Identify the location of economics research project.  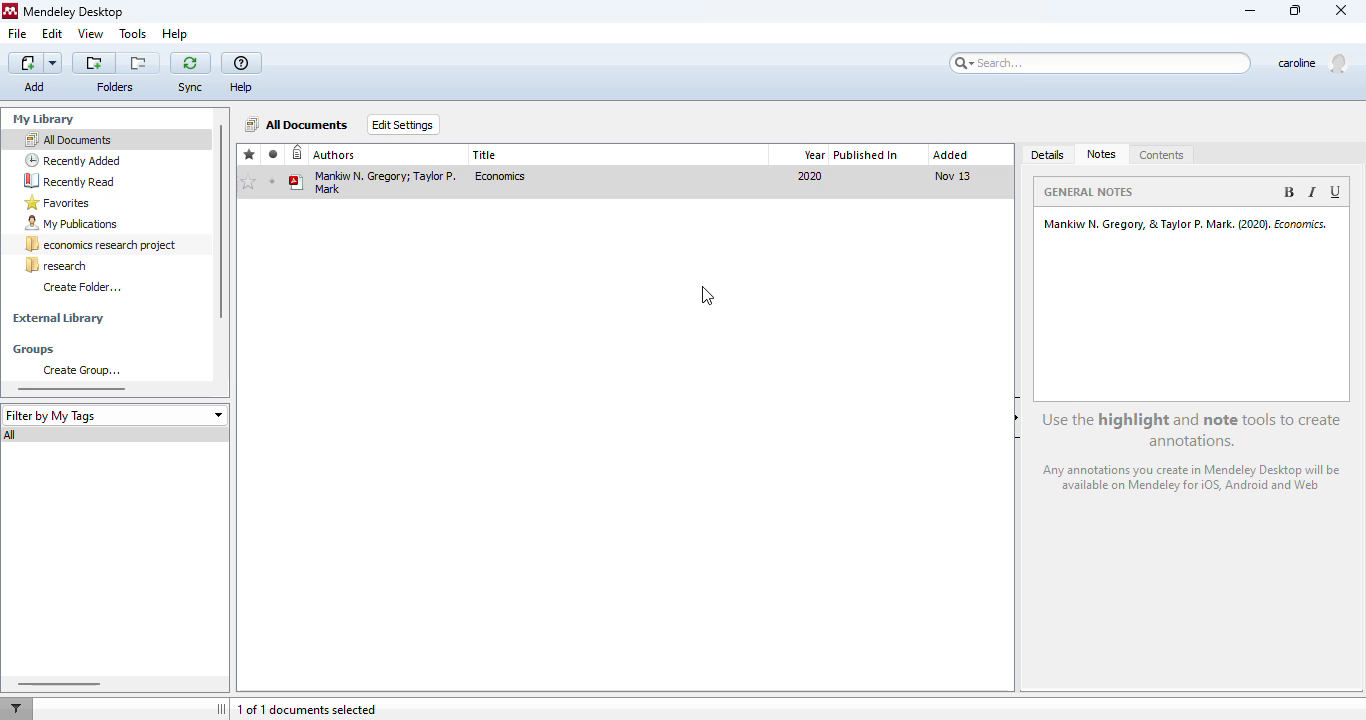
(102, 245).